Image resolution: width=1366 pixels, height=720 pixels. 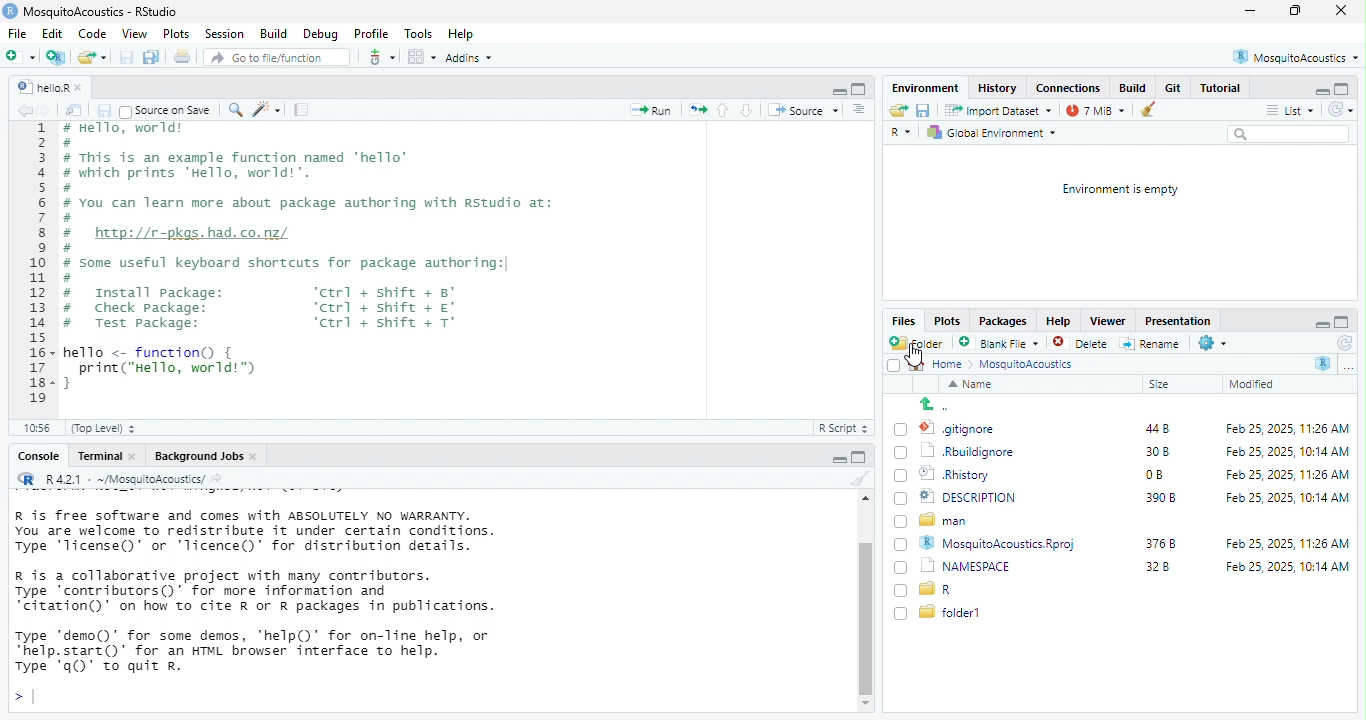 I want to click on Build, so click(x=273, y=33).